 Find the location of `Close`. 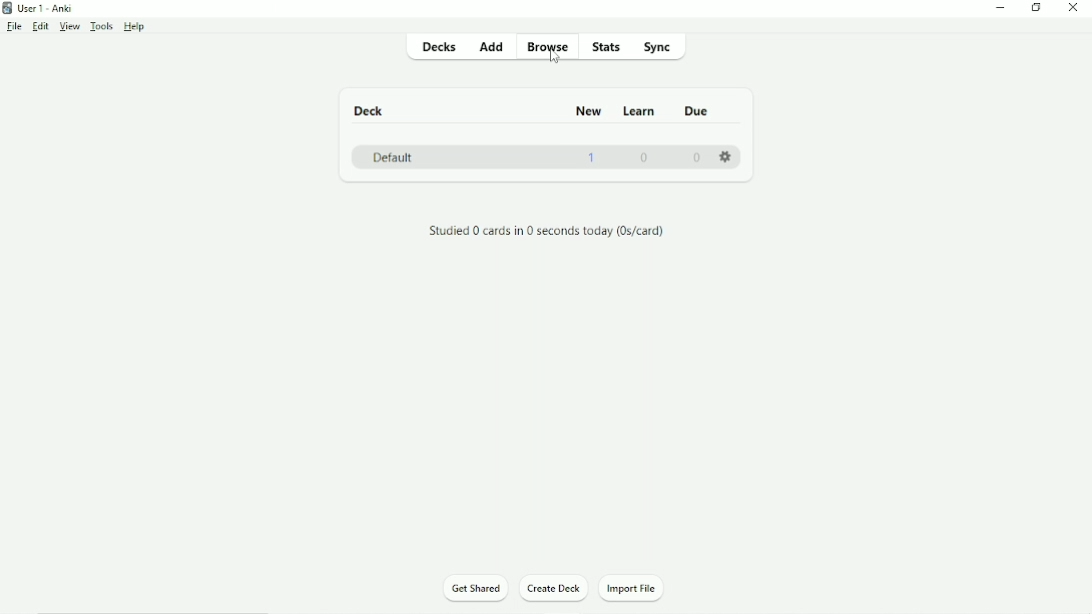

Close is located at coordinates (1073, 8).